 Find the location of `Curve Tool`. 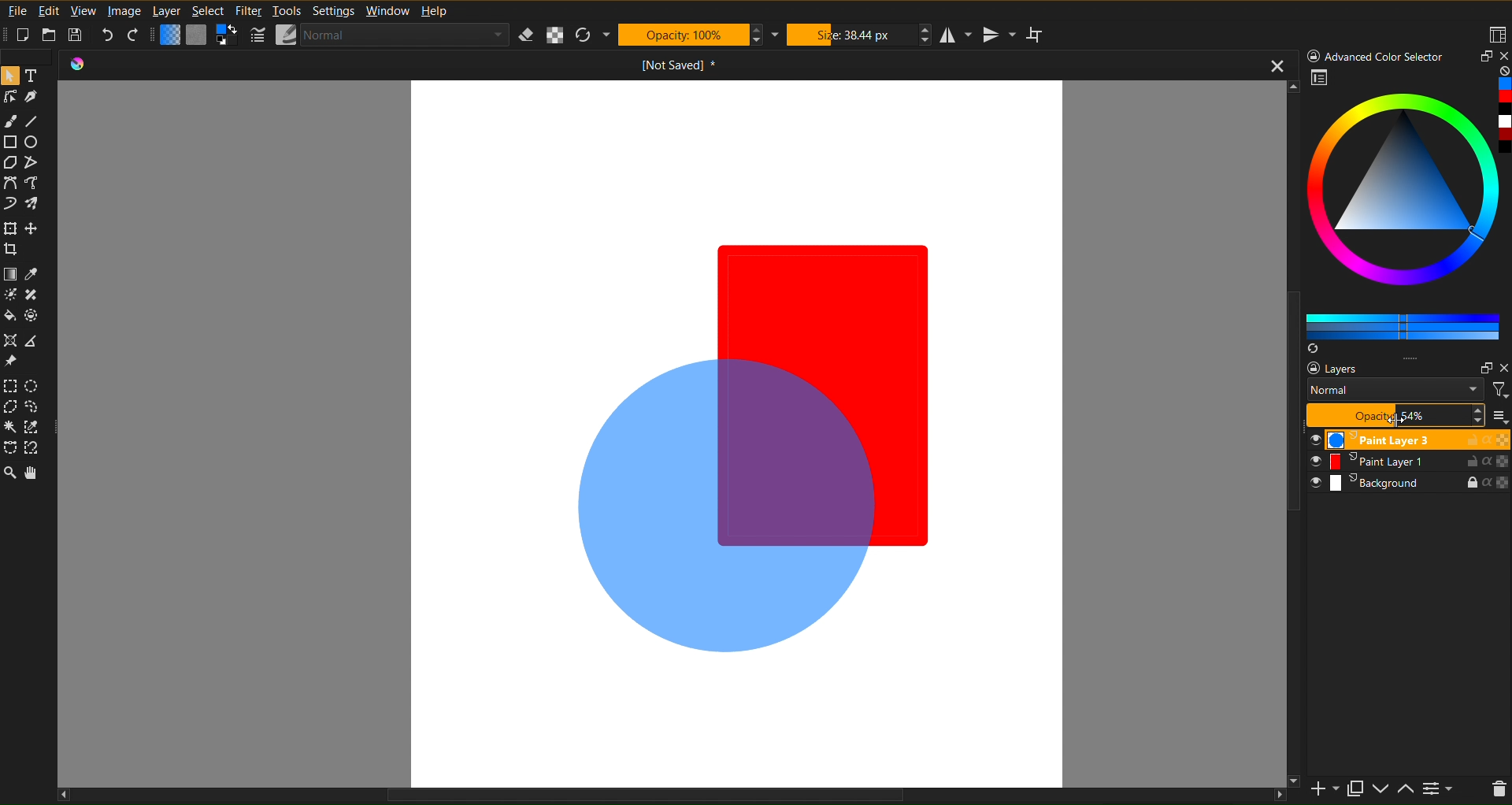

Curve Tool is located at coordinates (10, 205).